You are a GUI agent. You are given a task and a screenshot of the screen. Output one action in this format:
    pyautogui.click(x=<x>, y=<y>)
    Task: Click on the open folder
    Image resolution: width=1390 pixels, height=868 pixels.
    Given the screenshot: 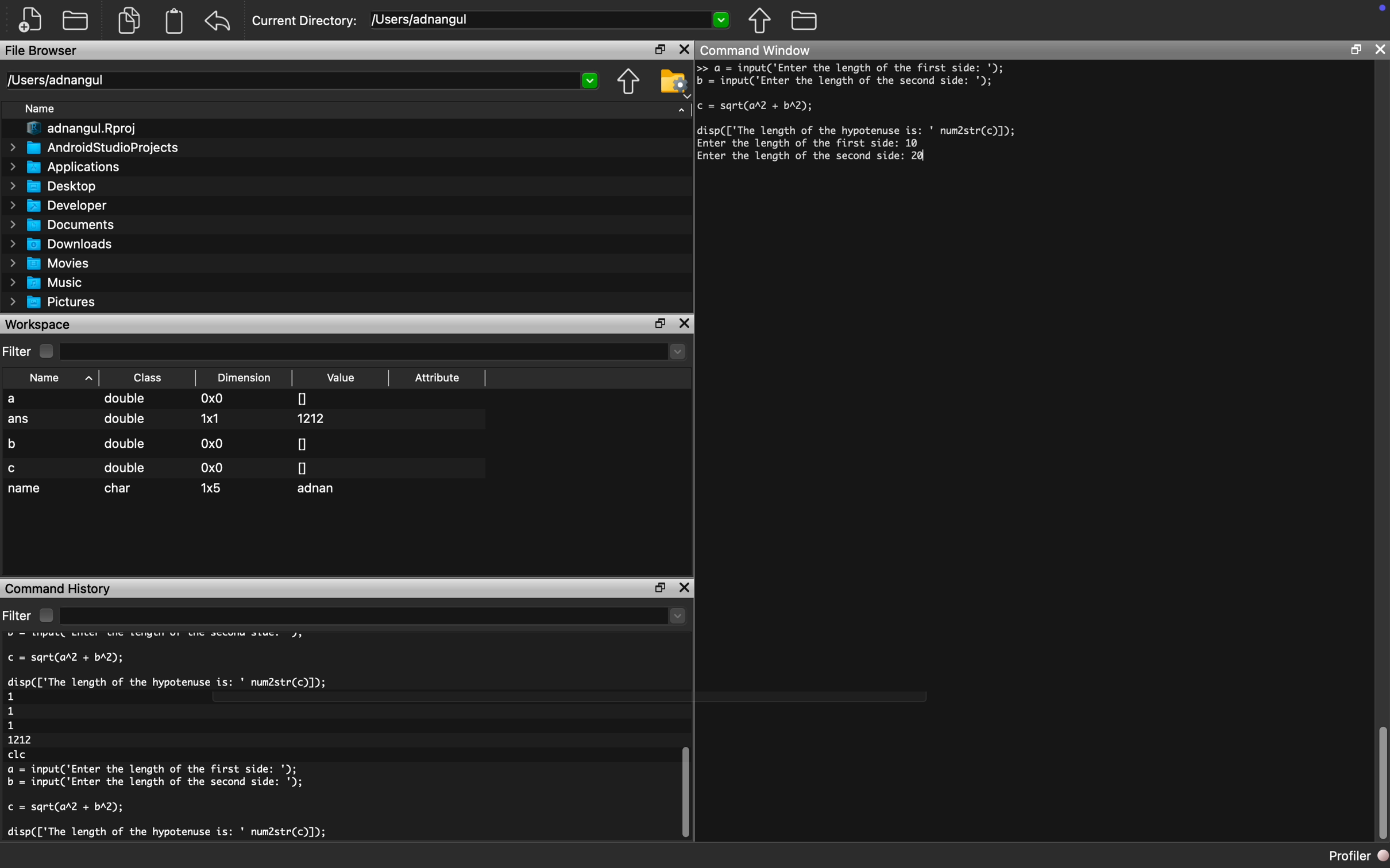 What is the action you would take?
    pyautogui.click(x=77, y=19)
    